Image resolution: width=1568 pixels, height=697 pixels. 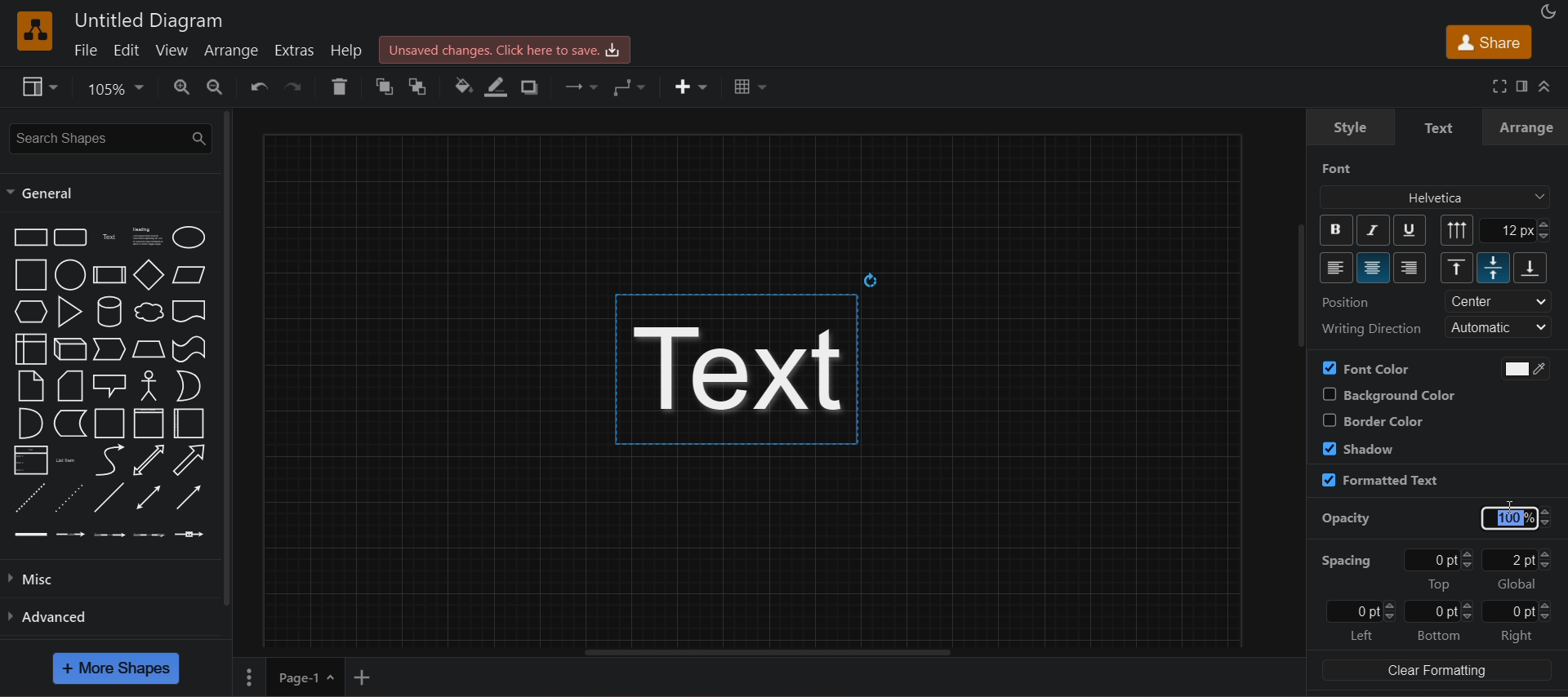 I want to click on horizontal scroll bar, so click(x=752, y=652).